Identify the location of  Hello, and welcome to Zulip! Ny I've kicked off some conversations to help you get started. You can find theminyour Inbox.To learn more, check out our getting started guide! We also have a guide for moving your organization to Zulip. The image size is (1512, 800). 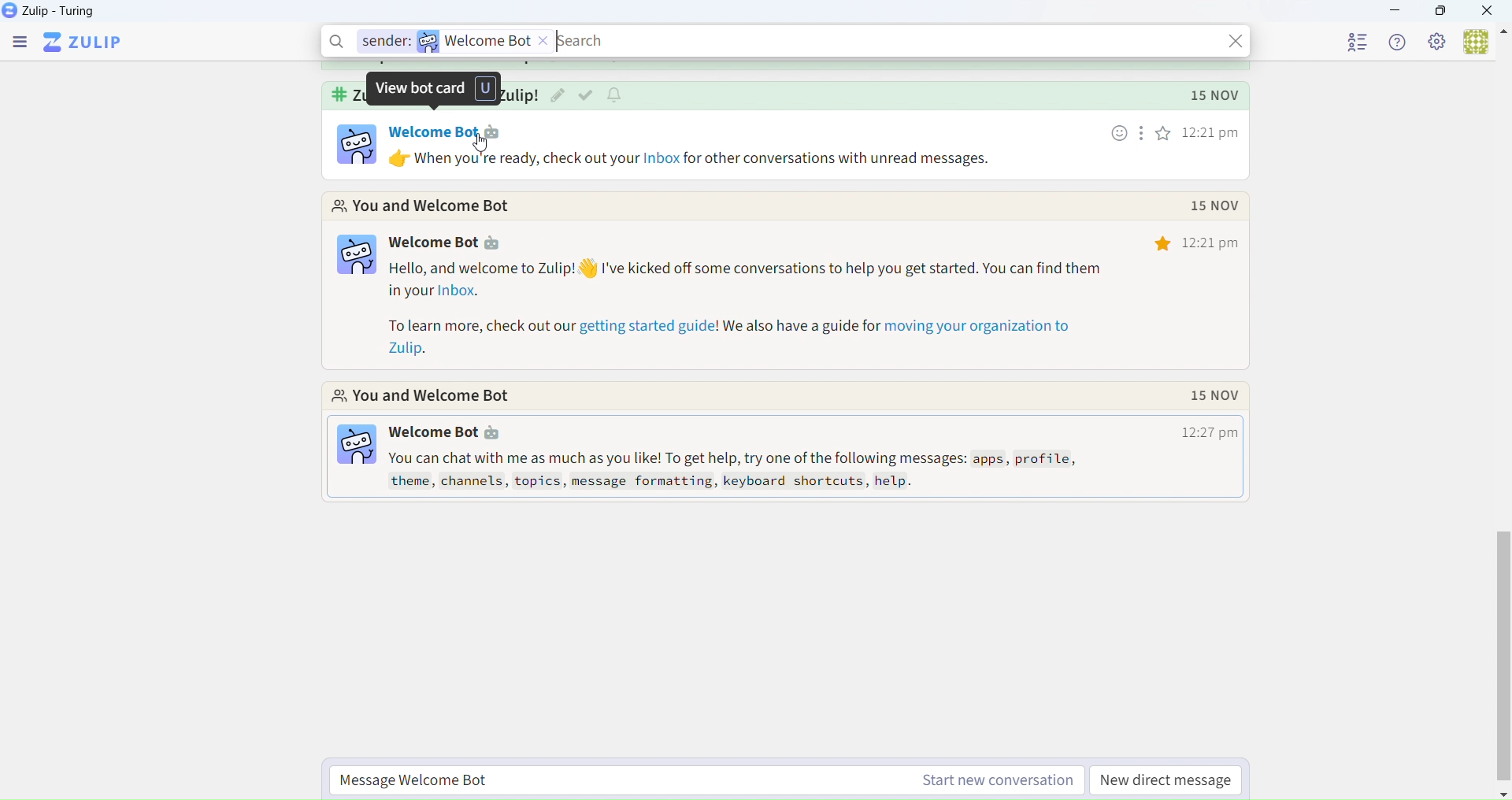
(754, 313).